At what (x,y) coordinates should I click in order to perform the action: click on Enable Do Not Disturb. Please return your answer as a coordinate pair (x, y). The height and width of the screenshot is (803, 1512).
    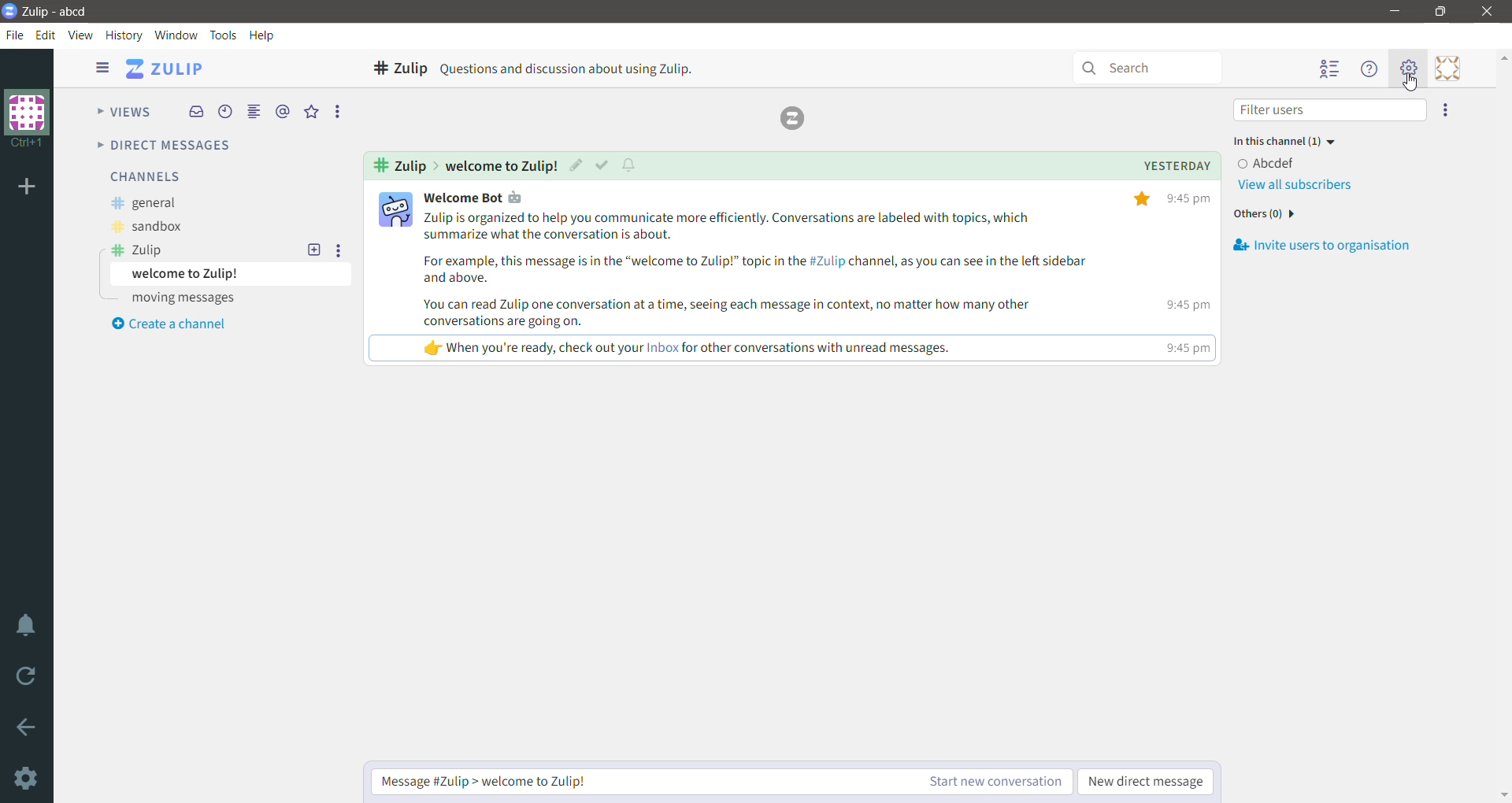
    Looking at the image, I should click on (28, 627).